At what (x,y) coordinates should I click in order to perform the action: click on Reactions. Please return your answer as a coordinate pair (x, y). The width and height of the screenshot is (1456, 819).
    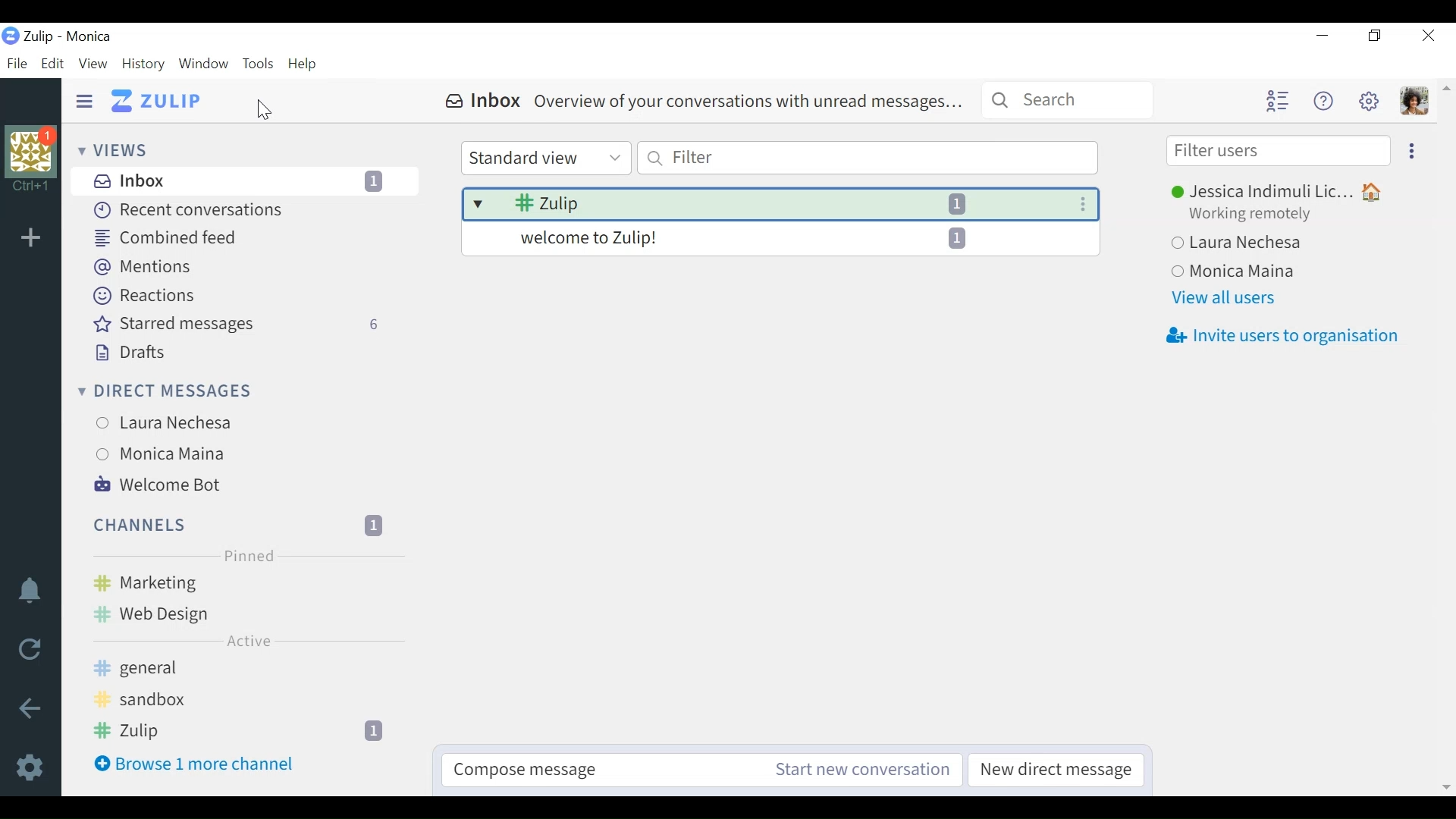
    Looking at the image, I should click on (142, 296).